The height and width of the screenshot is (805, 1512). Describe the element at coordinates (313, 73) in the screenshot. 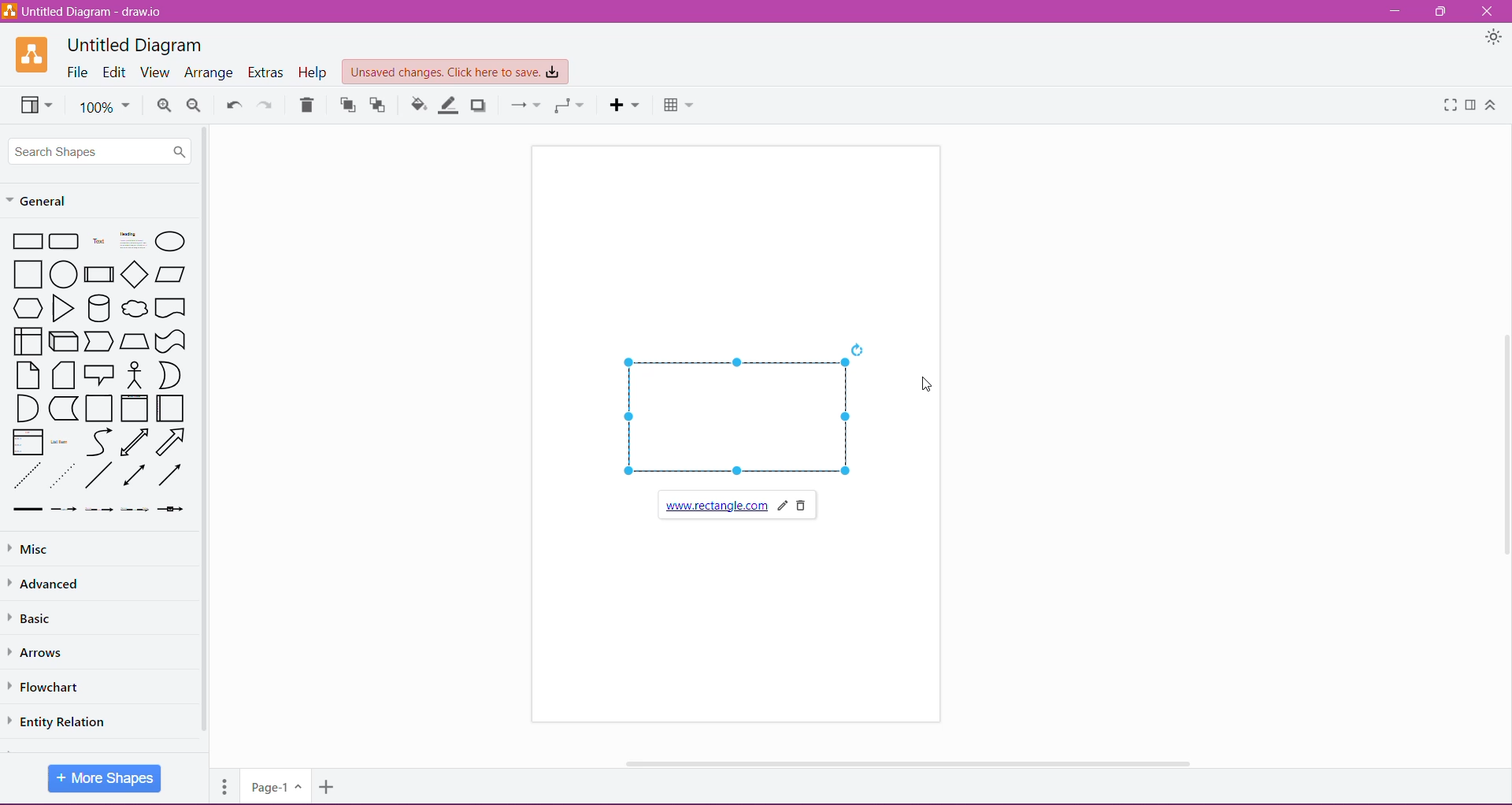

I see `Help` at that location.